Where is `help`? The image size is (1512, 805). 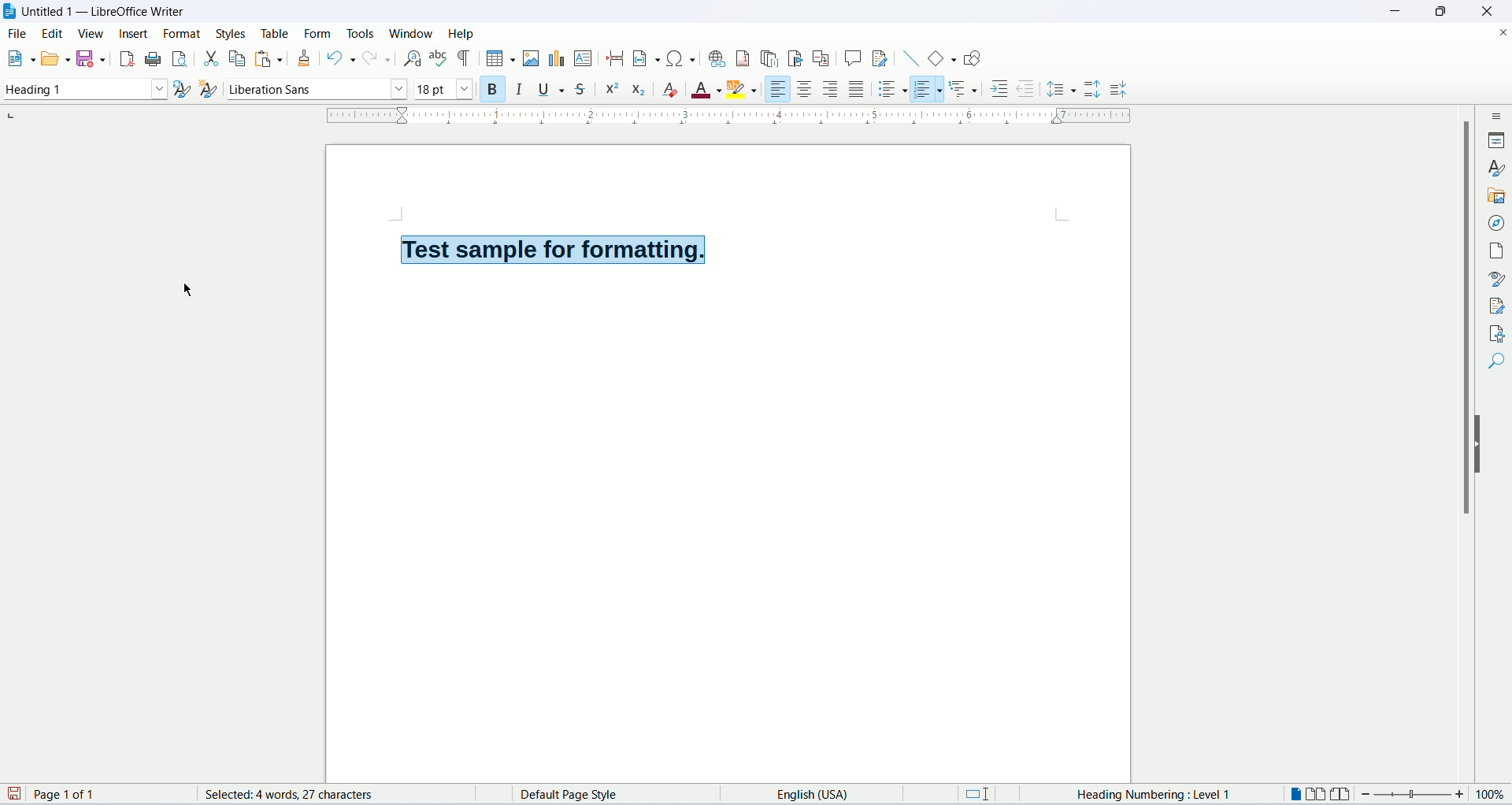 help is located at coordinates (461, 33).